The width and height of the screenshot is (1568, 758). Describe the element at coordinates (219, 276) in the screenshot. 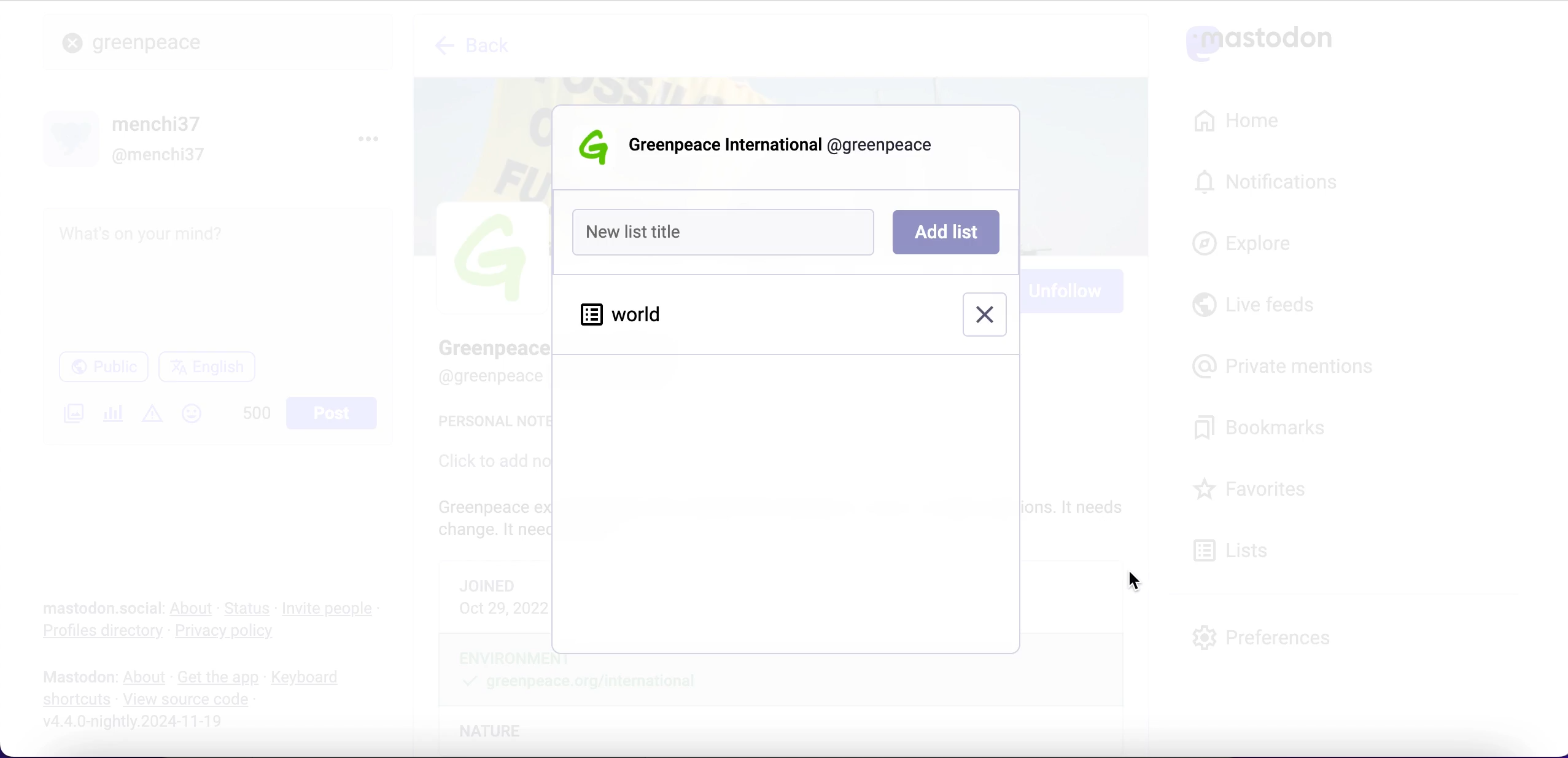

I see `post what's n your mind` at that location.